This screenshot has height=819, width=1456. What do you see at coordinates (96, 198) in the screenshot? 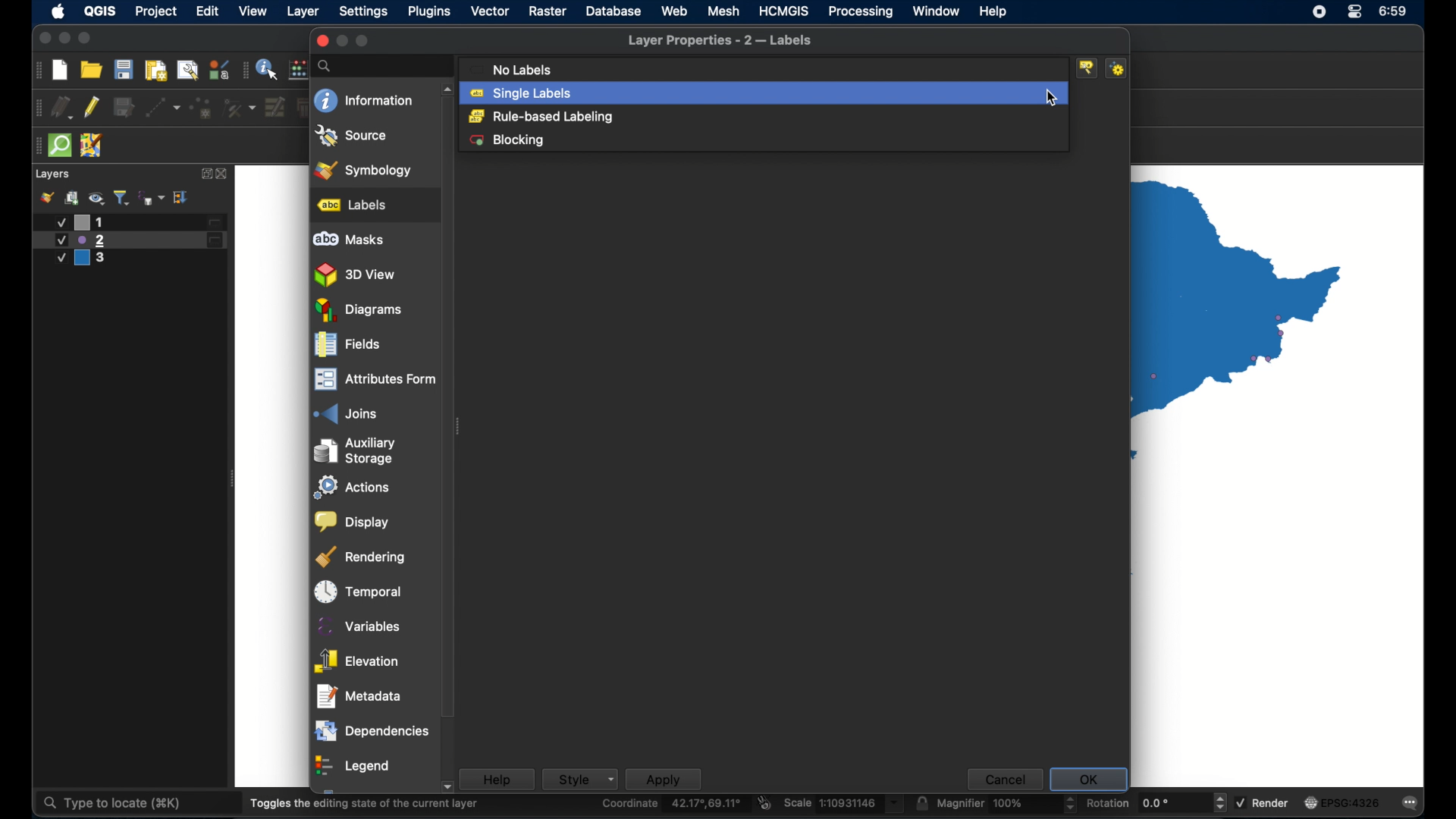
I see `manage map theme` at bounding box center [96, 198].